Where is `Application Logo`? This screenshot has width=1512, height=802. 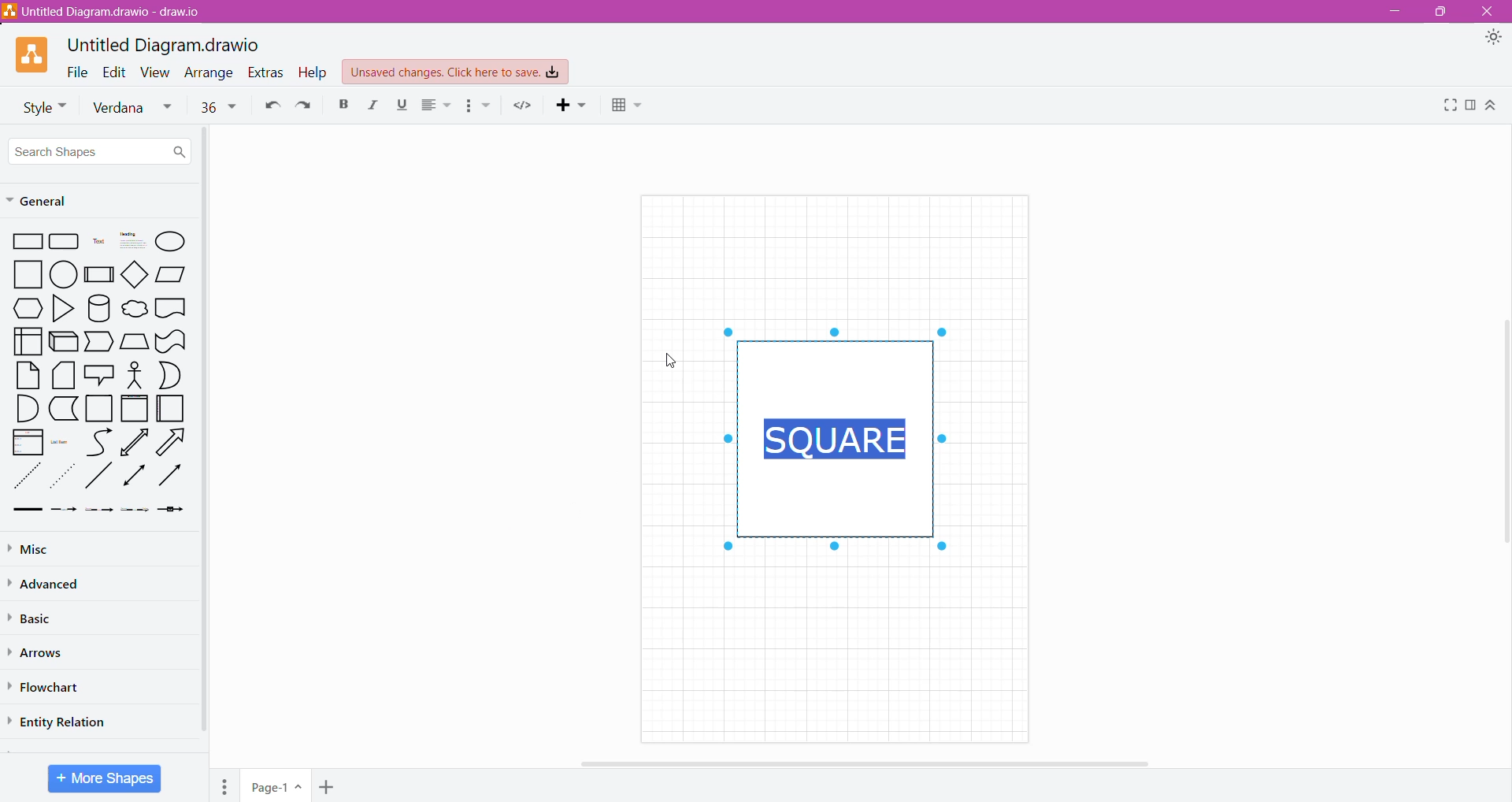 Application Logo is located at coordinates (33, 55).